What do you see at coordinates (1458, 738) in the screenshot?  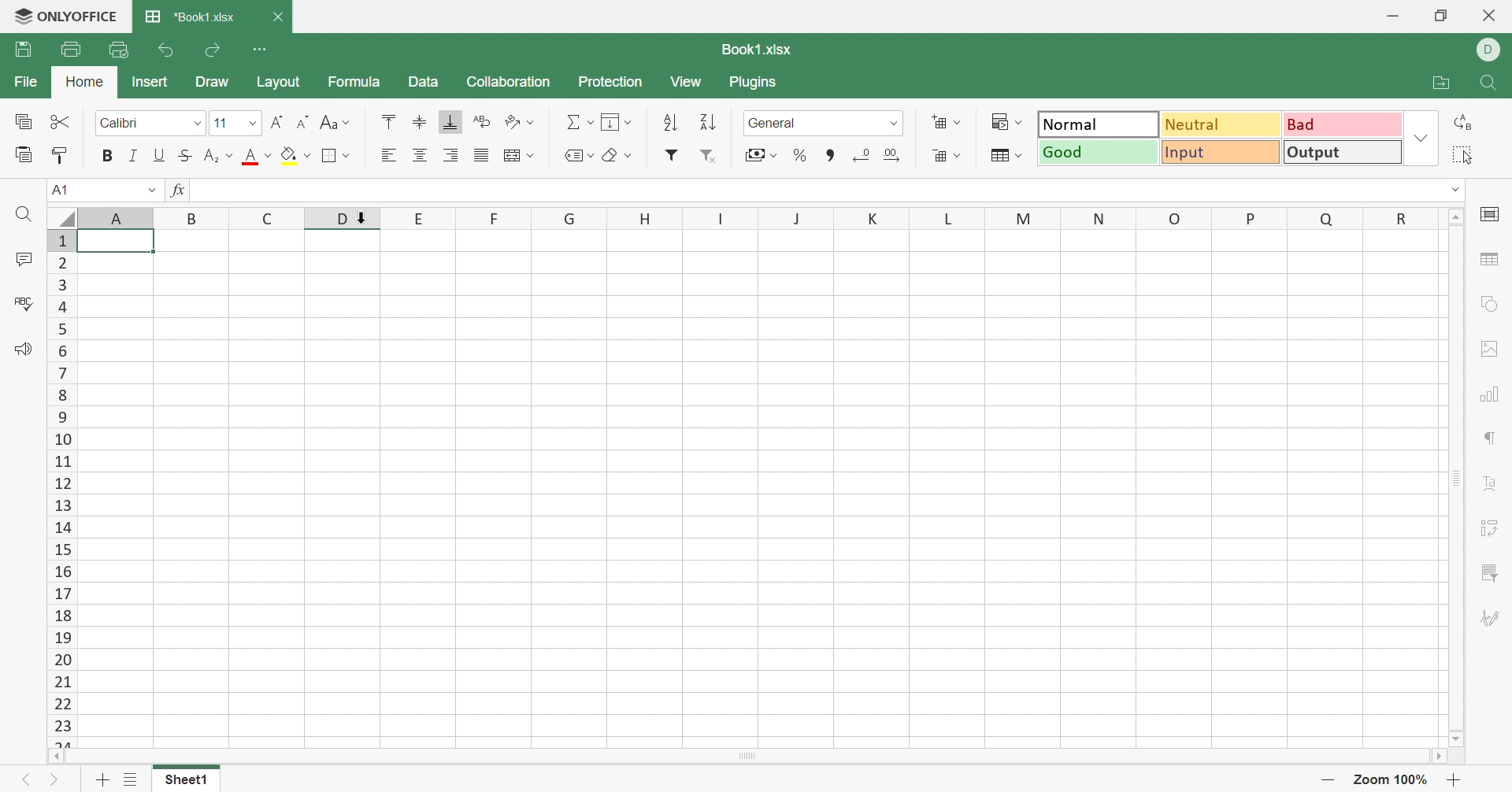 I see `Scroll Down` at bounding box center [1458, 738].